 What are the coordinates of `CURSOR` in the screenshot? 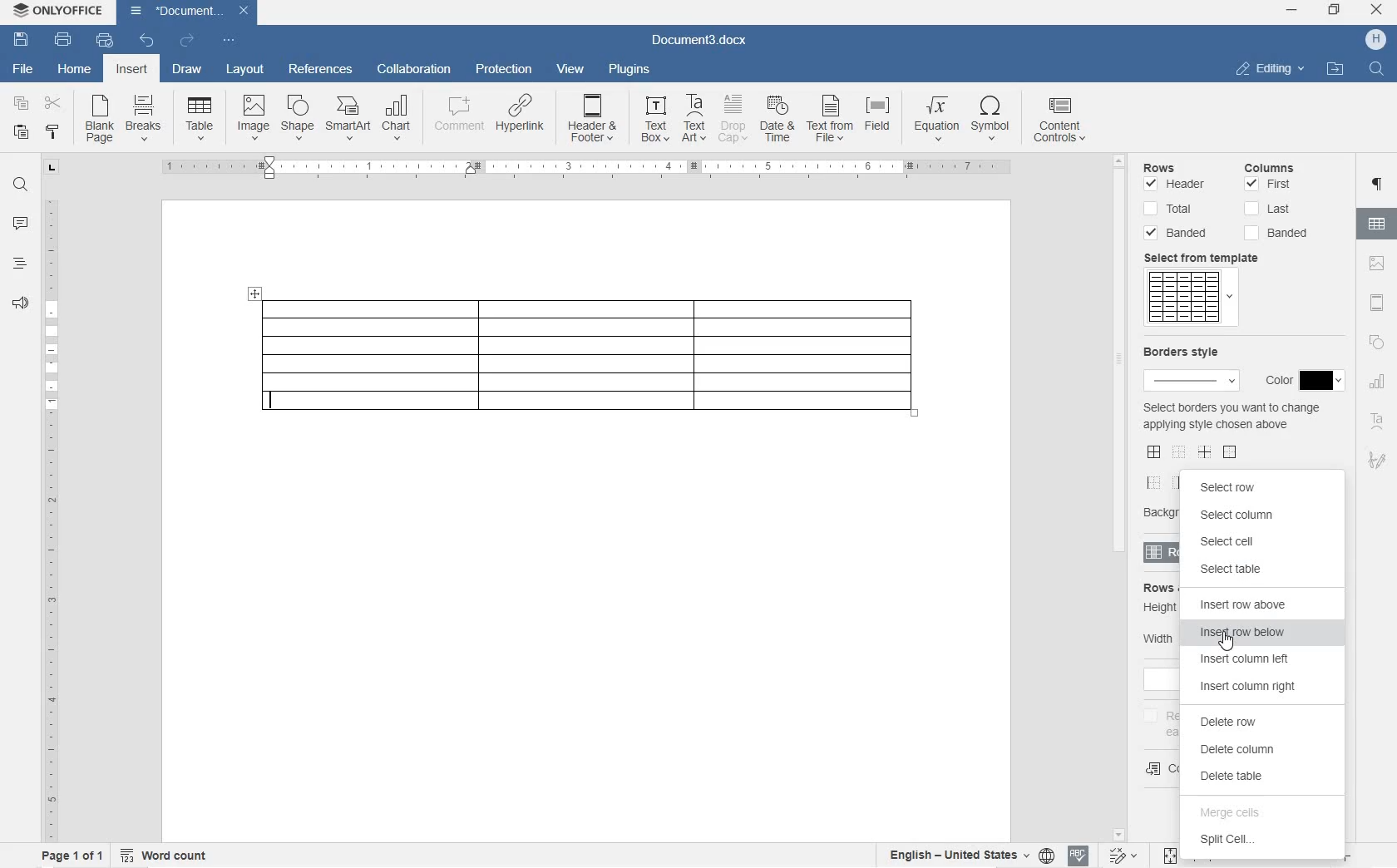 It's located at (1229, 638).